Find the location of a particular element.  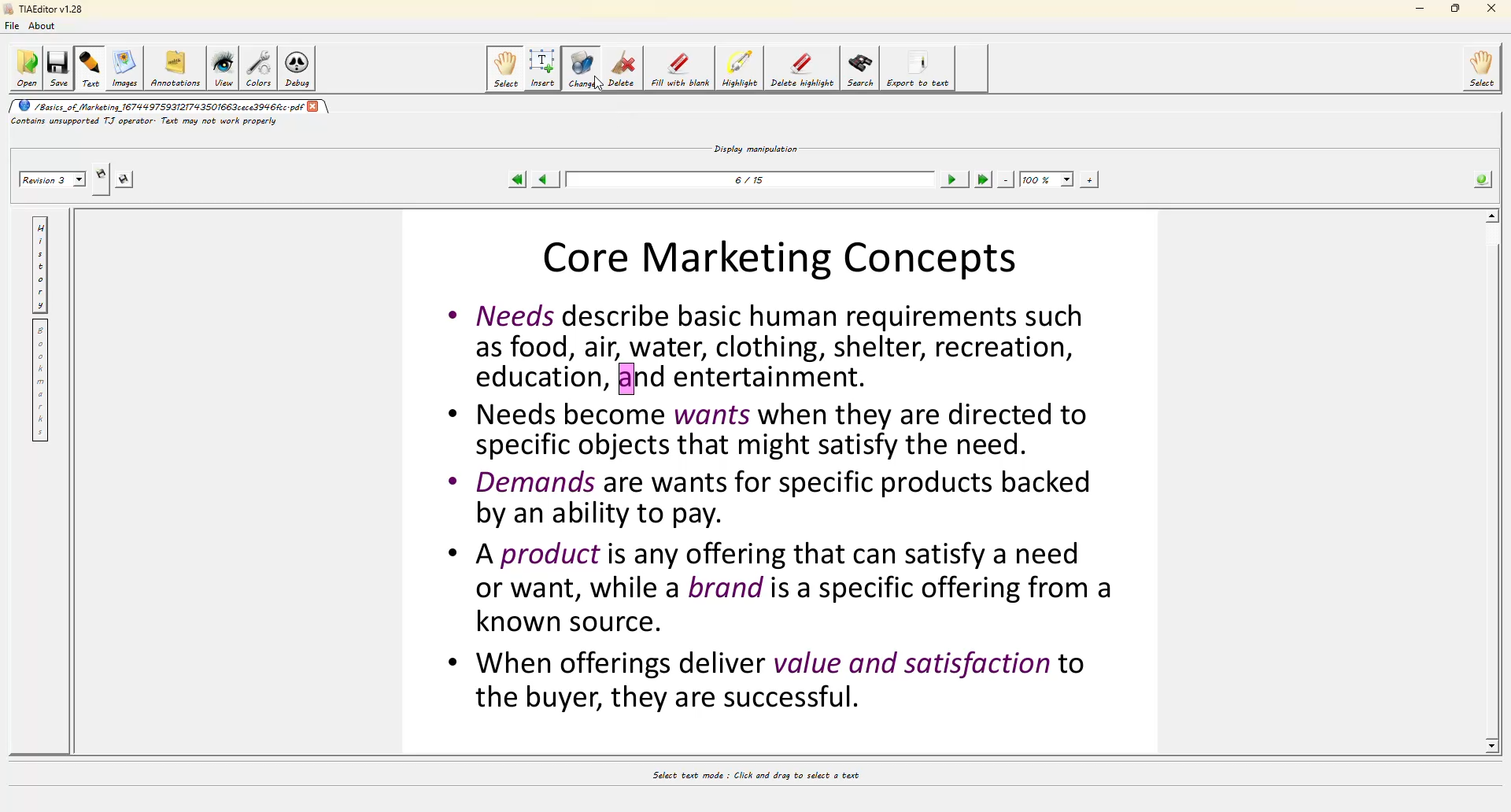

select is located at coordinates (1486, 66).